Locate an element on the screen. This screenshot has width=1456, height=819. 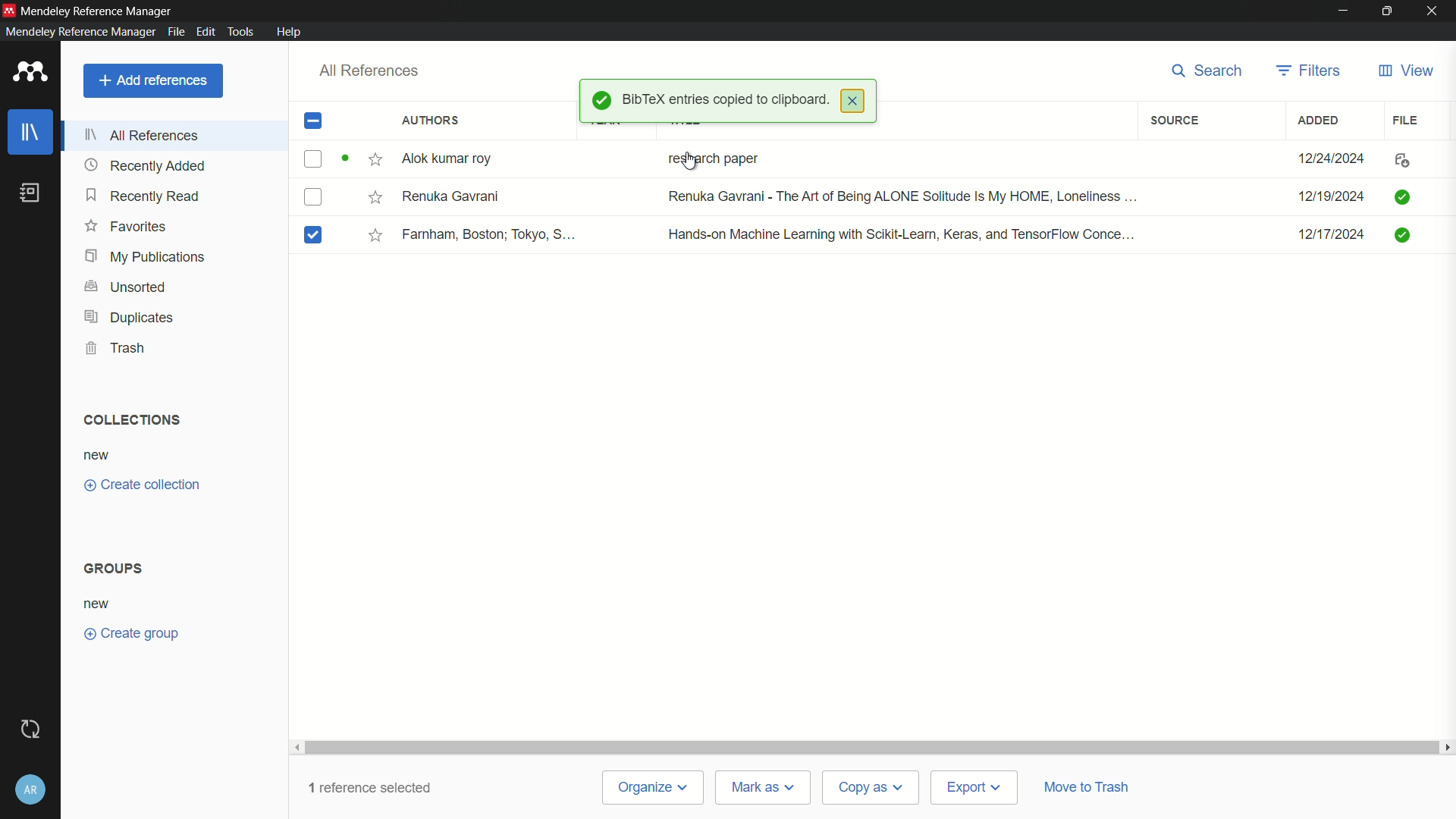
organize is located at coordinates (654, 789).